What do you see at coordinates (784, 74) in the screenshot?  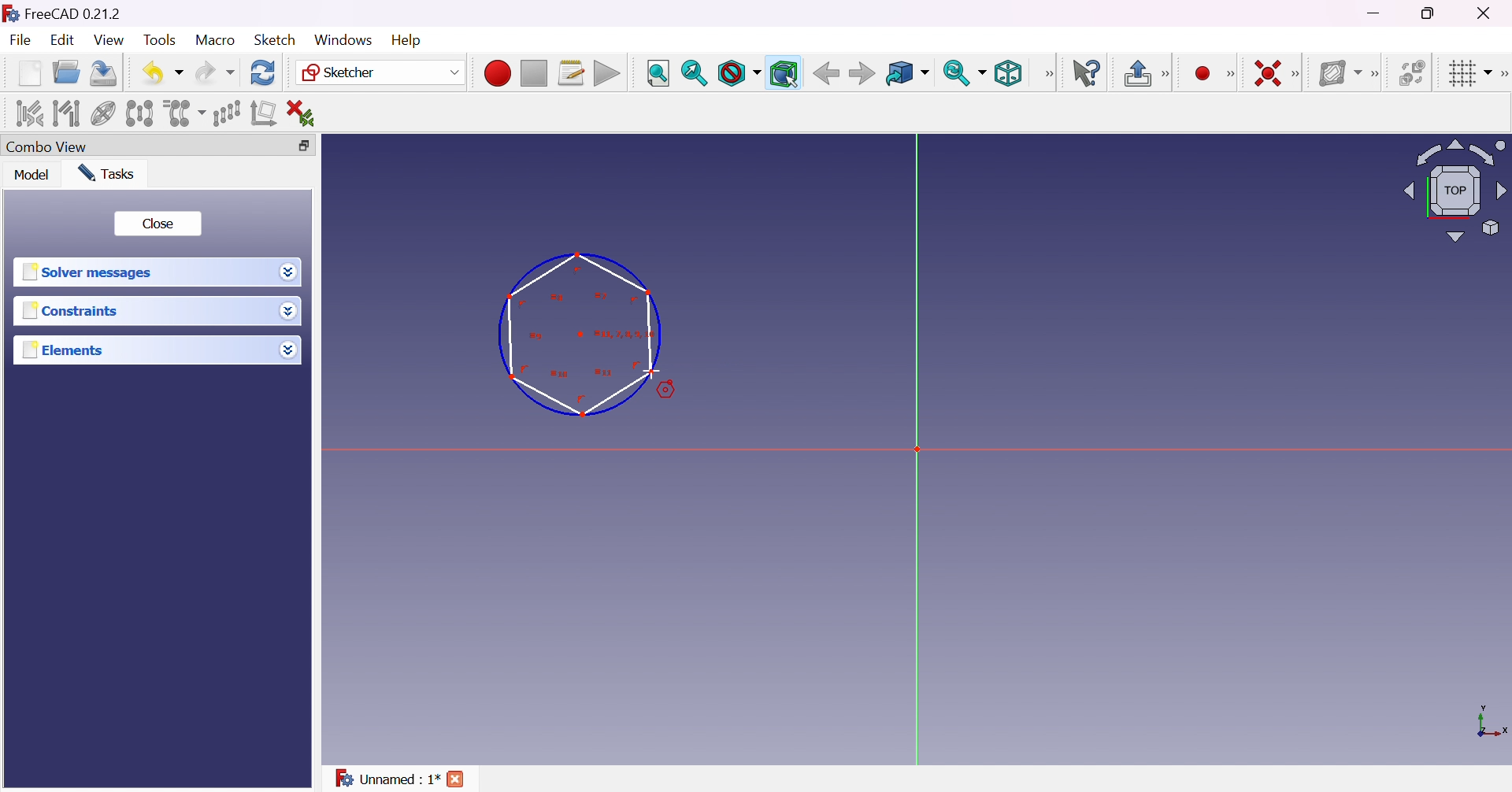 I see `Bounding box` at bounding box center [784, 74].